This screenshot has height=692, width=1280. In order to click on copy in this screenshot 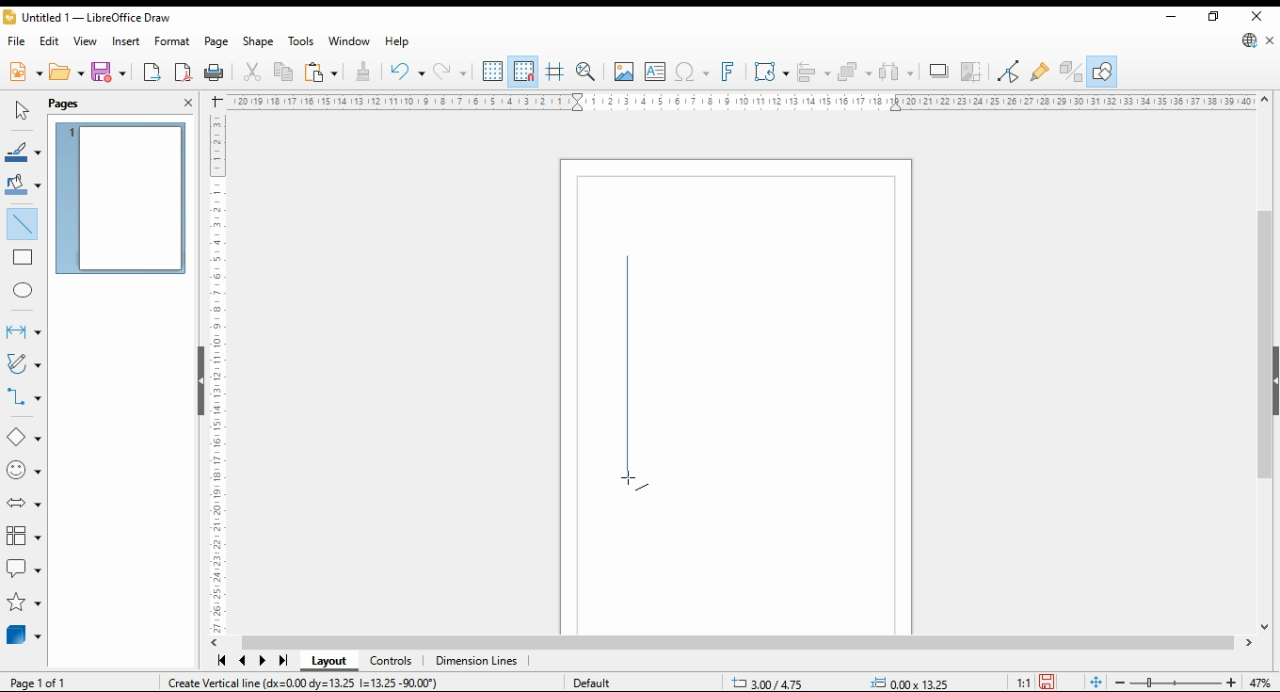, I will do `click(282, 73)`.